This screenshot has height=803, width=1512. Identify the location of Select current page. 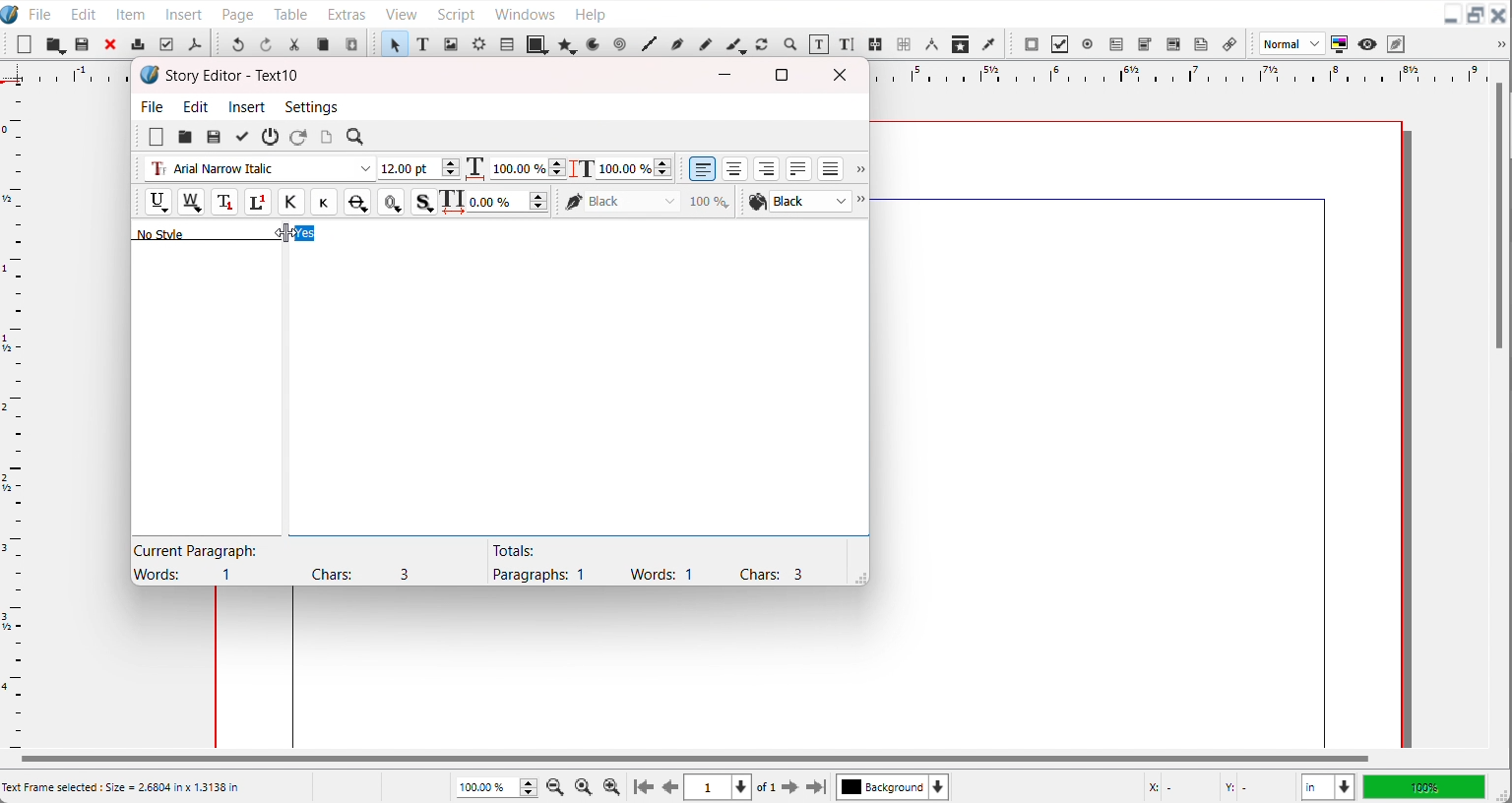
(718, 787).